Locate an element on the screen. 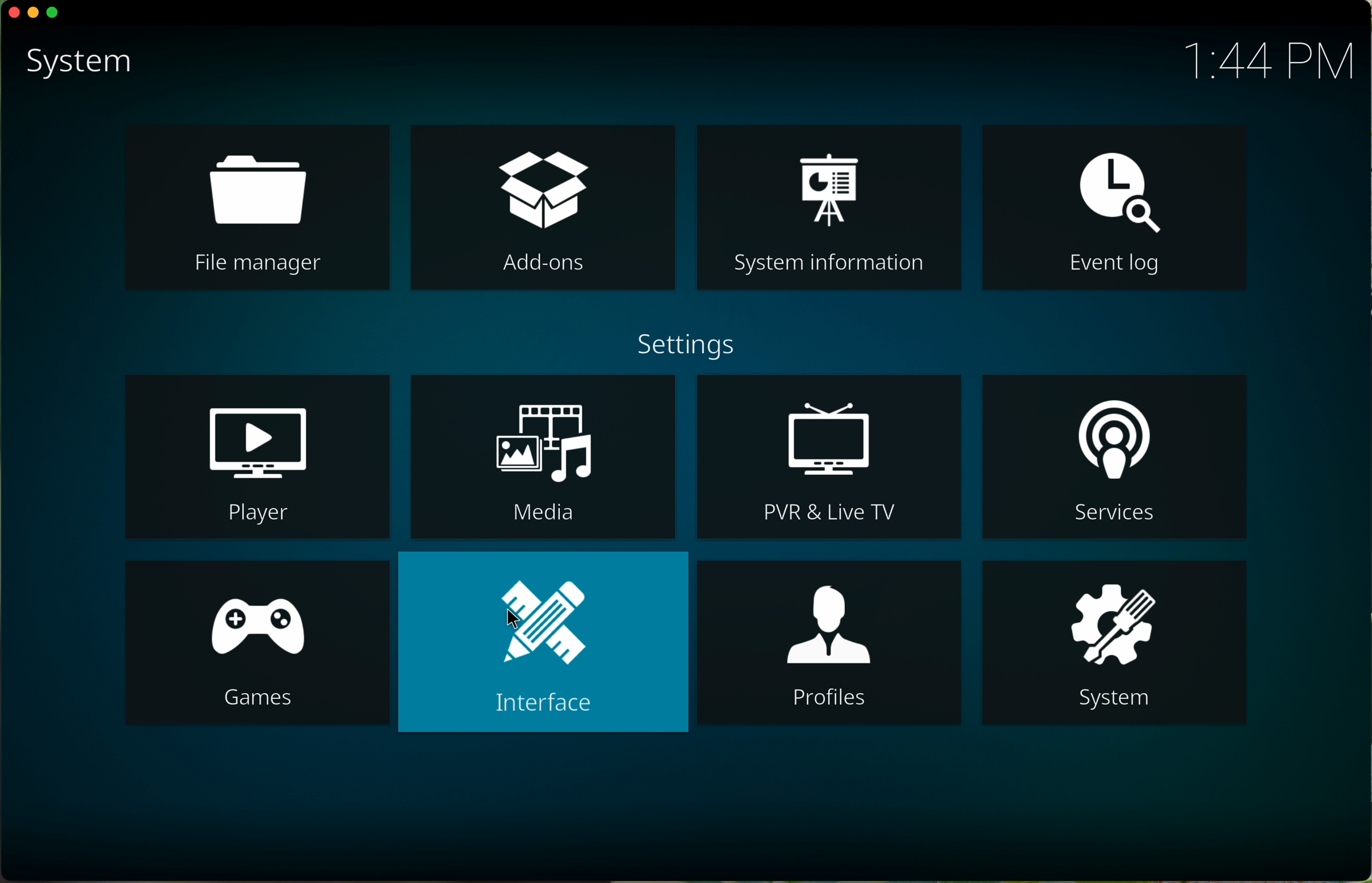  hour is located at coordinates (1267, 63).